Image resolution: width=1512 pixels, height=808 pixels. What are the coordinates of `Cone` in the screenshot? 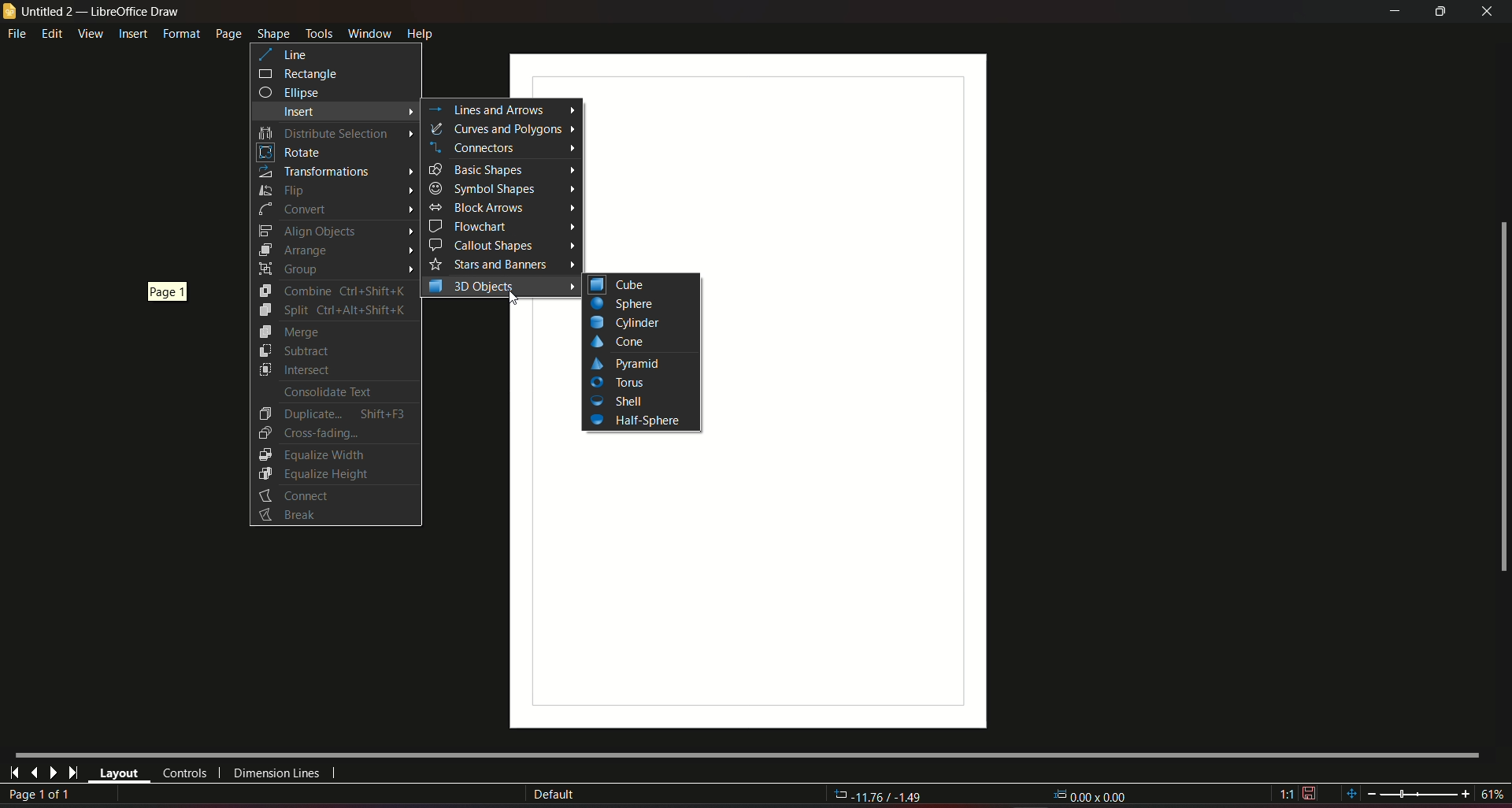 It's located at (620, 342).